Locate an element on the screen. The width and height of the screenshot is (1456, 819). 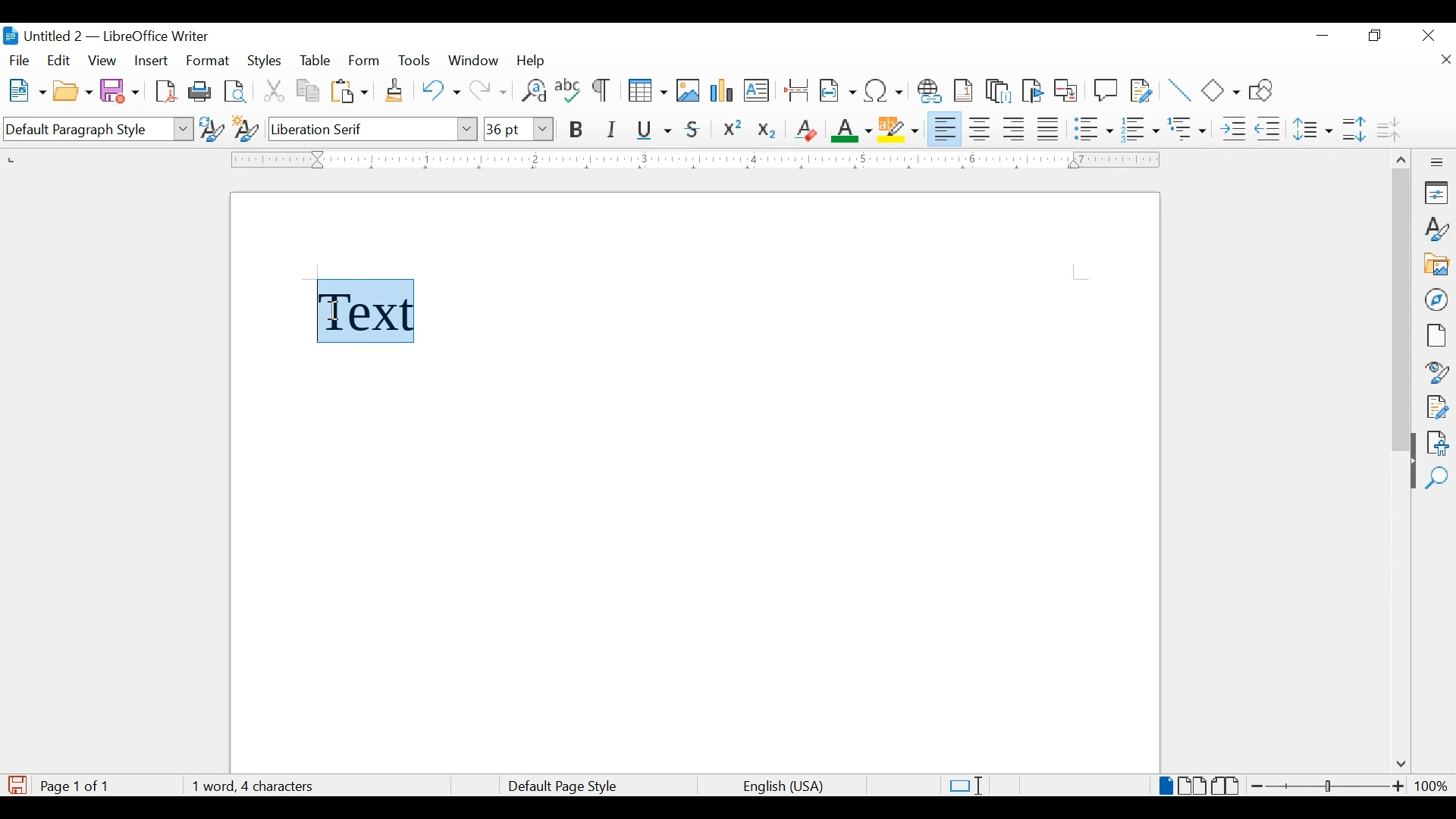
default paragraph style is located at coordinates (96, 130).